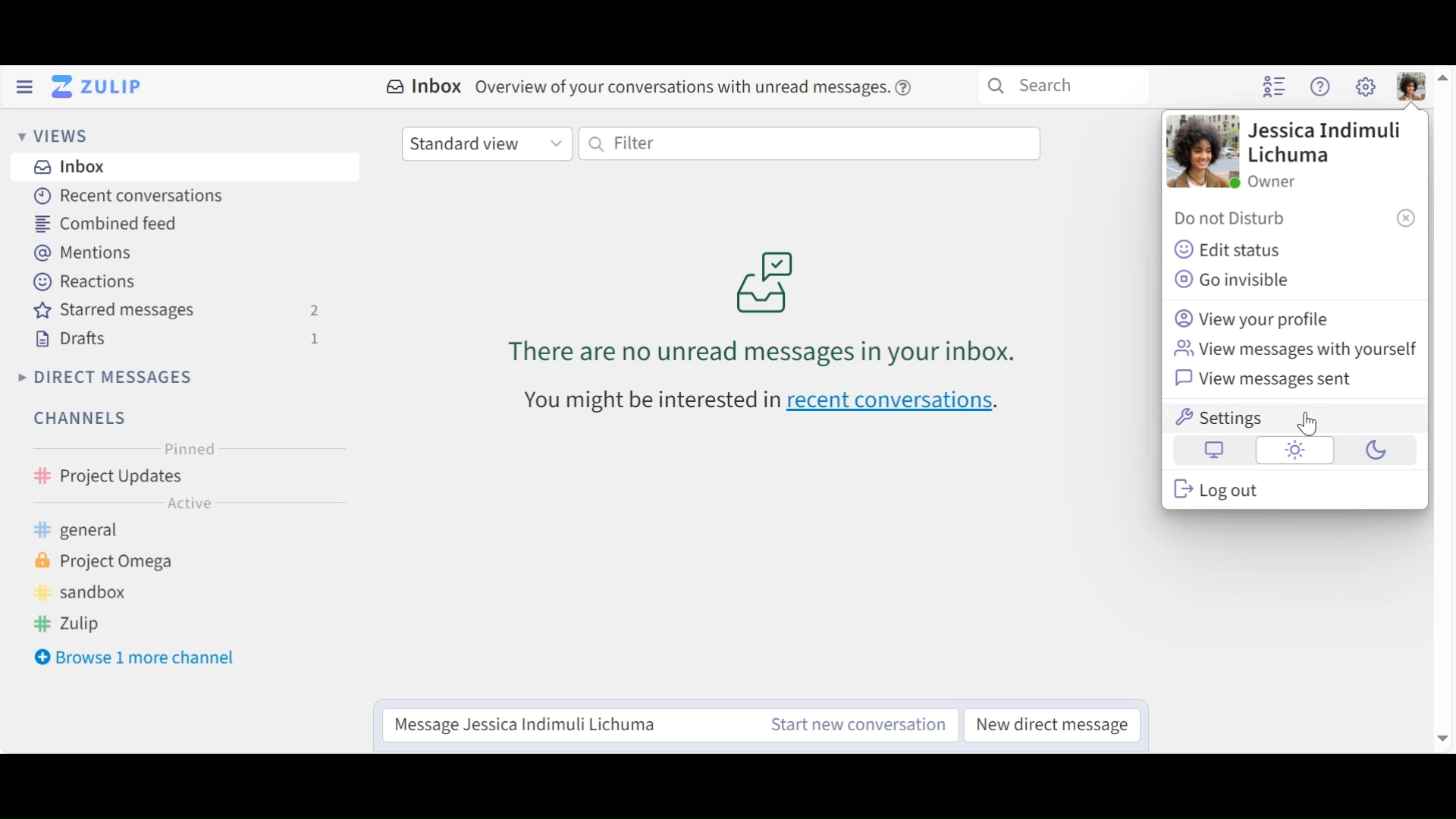 This screenshot has height=819, width=1456. I want to click on Owner/member, so click(1276, 181).